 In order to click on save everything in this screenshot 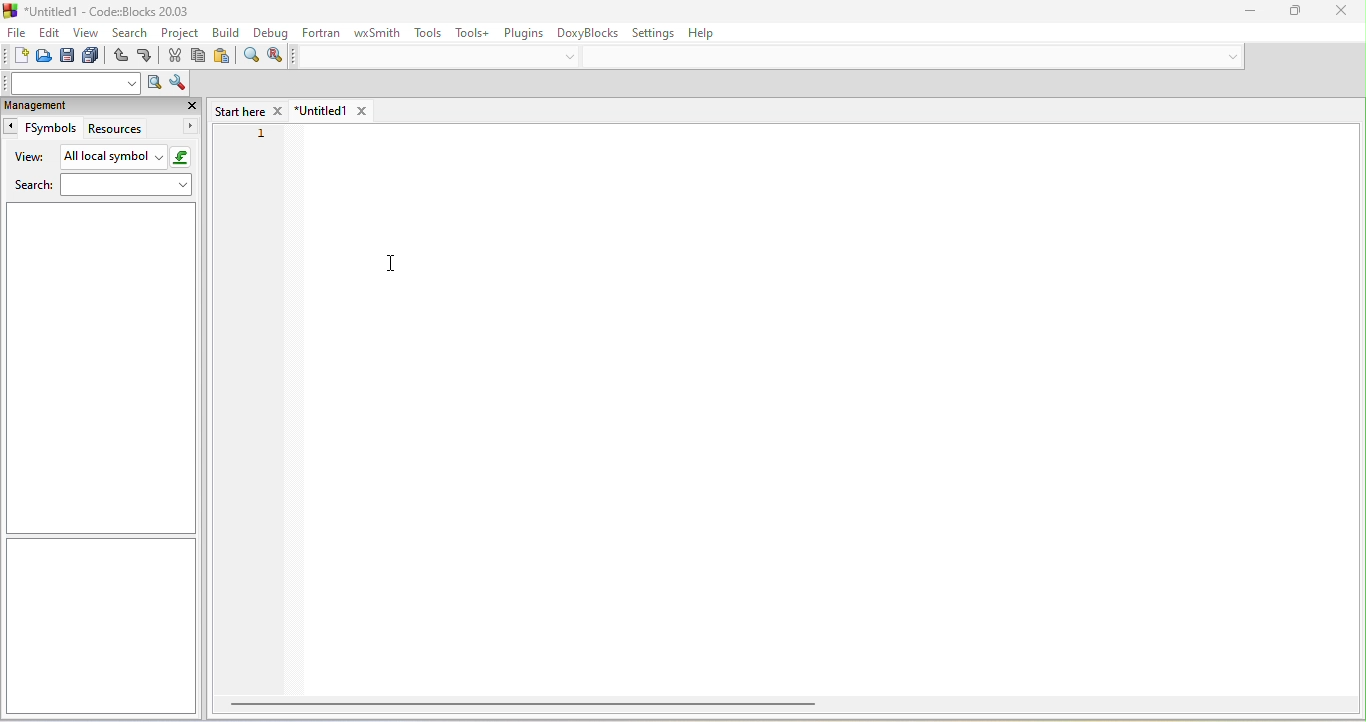, I will do `click(94, 56)`.